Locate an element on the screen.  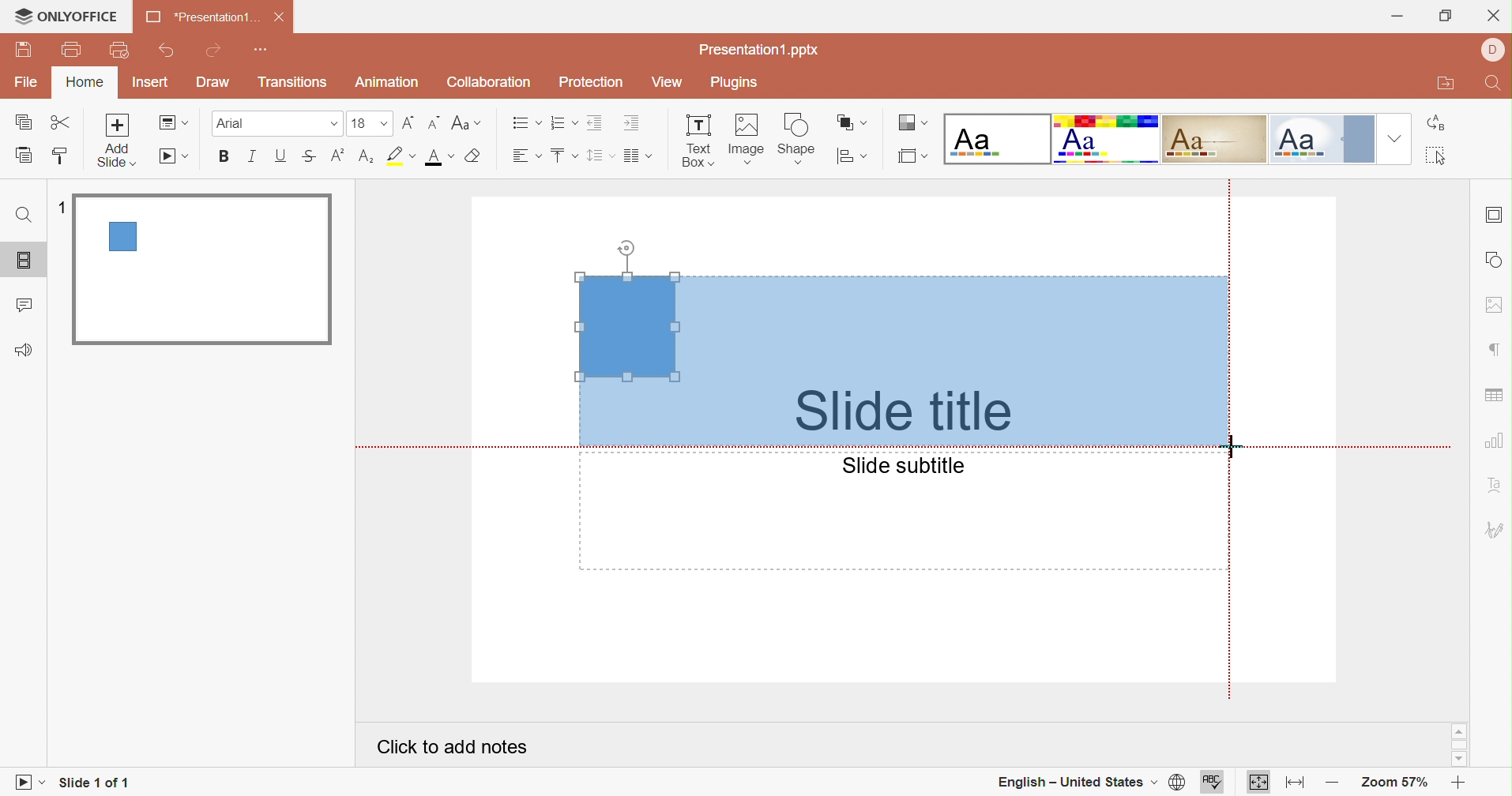
Animation is located at coordinates (389, 82).